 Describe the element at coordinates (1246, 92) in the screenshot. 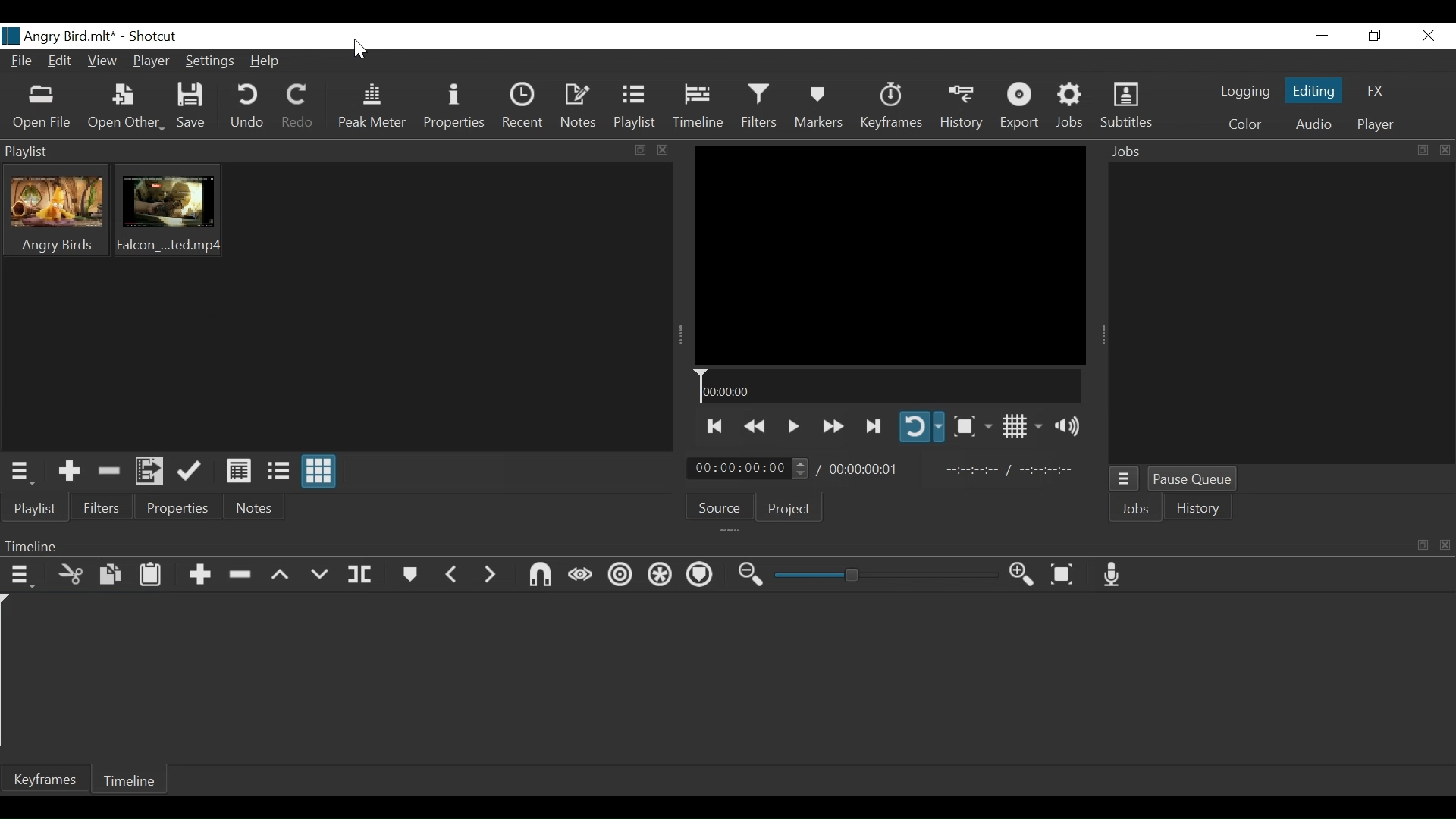

I see `logging` at that location.